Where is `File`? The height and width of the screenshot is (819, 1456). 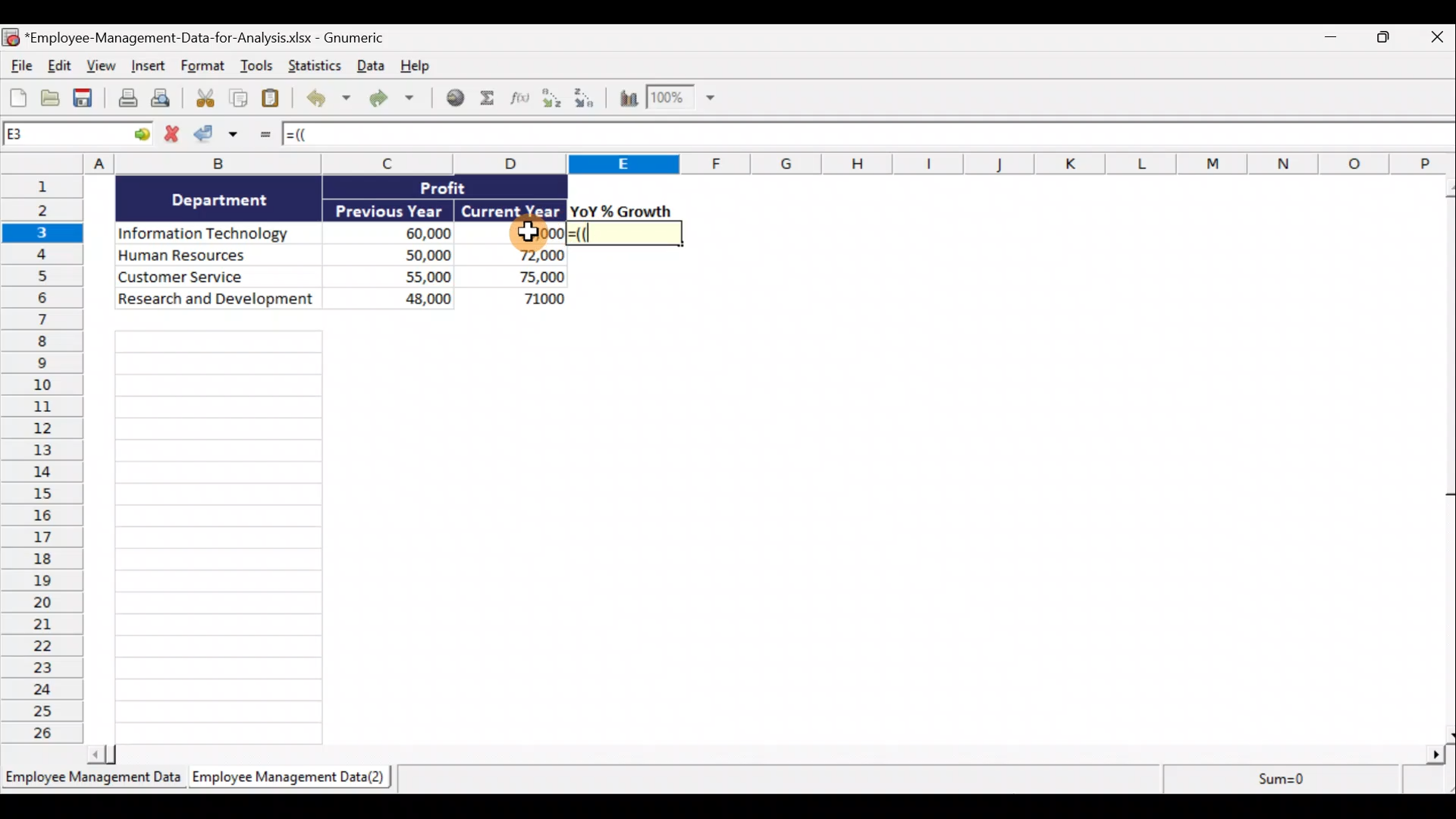
File is located at coordinates (19, 64).